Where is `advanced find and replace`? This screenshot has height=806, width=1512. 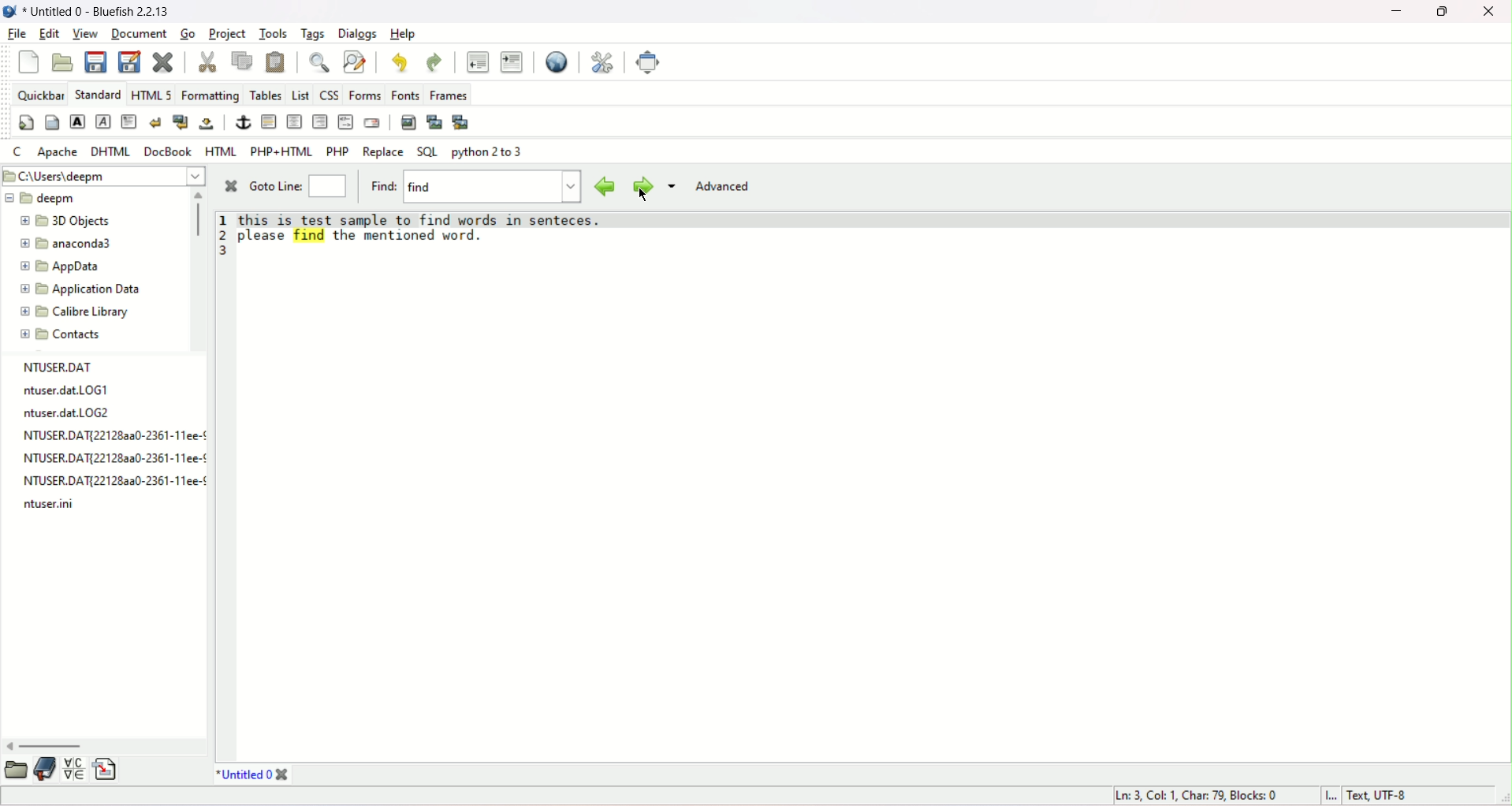 advanced find and replace is located at coordinates (356, 62).